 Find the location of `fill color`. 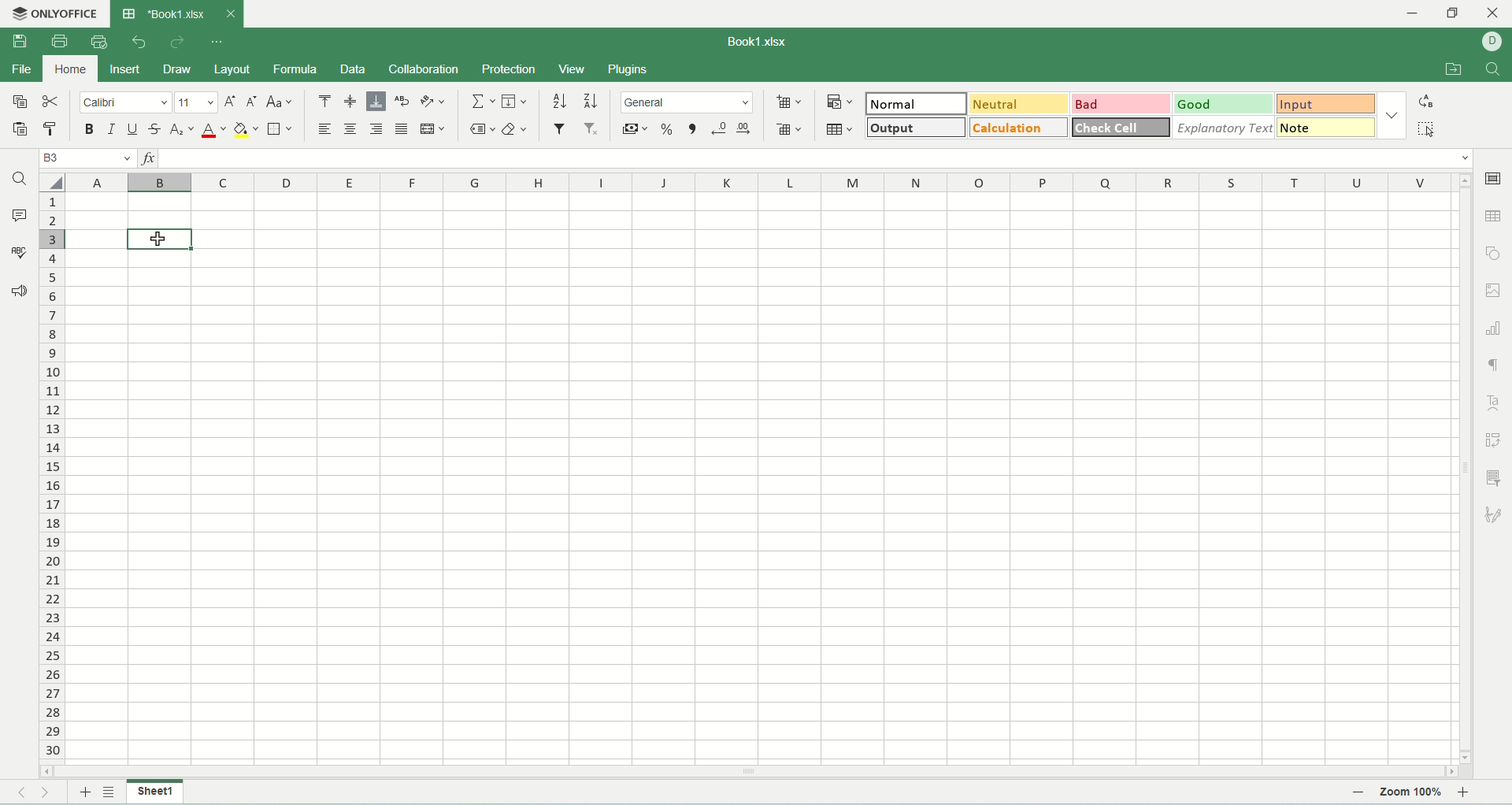

fill color is located at coordinates (246, 131).